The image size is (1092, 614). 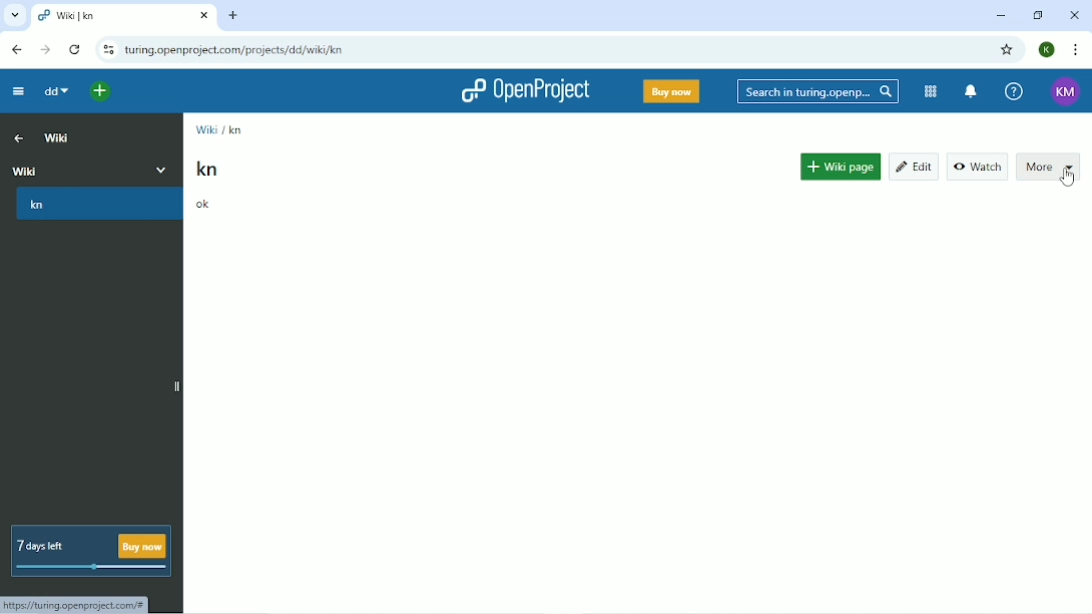 What do you see at coordinates (1074, 50) in the screenshot?
I see `Customize and control google chrome` at bounding box center [1074, 50].